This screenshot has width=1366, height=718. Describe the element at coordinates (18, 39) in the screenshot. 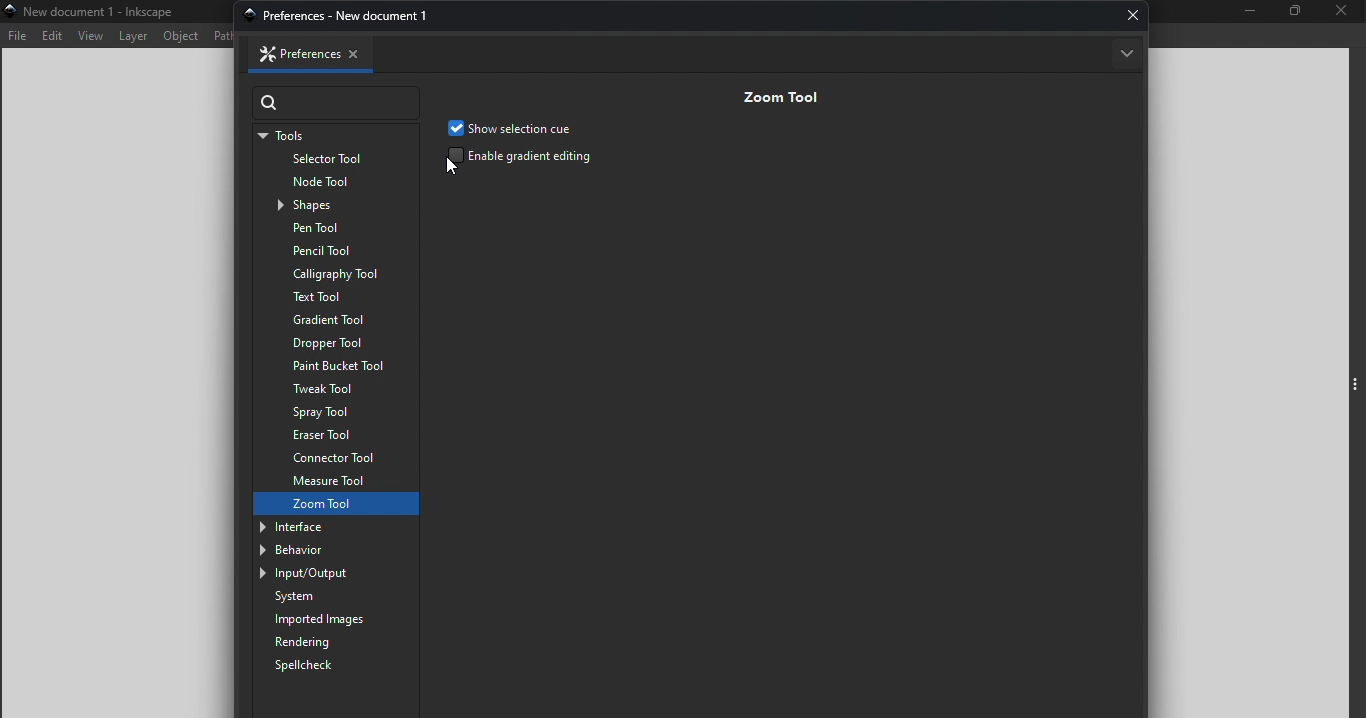

I see `File` at that location.